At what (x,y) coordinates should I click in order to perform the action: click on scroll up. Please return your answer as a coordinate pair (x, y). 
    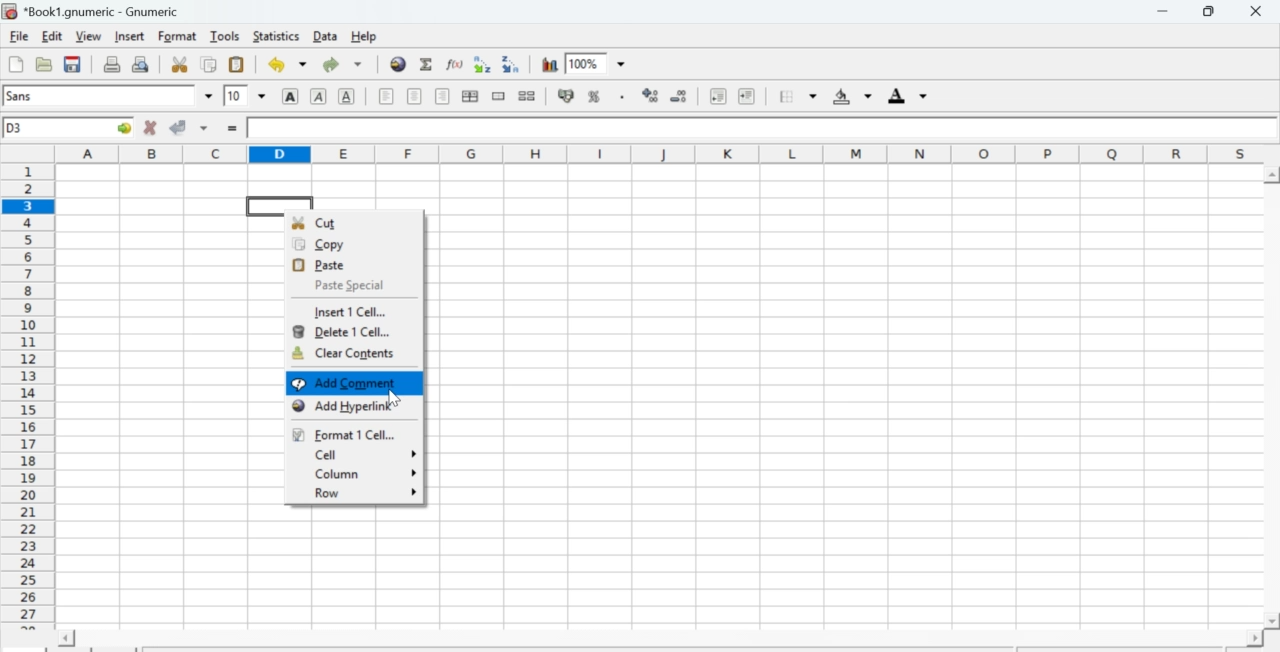
    Looking at the image, I should click on (1272, 175).